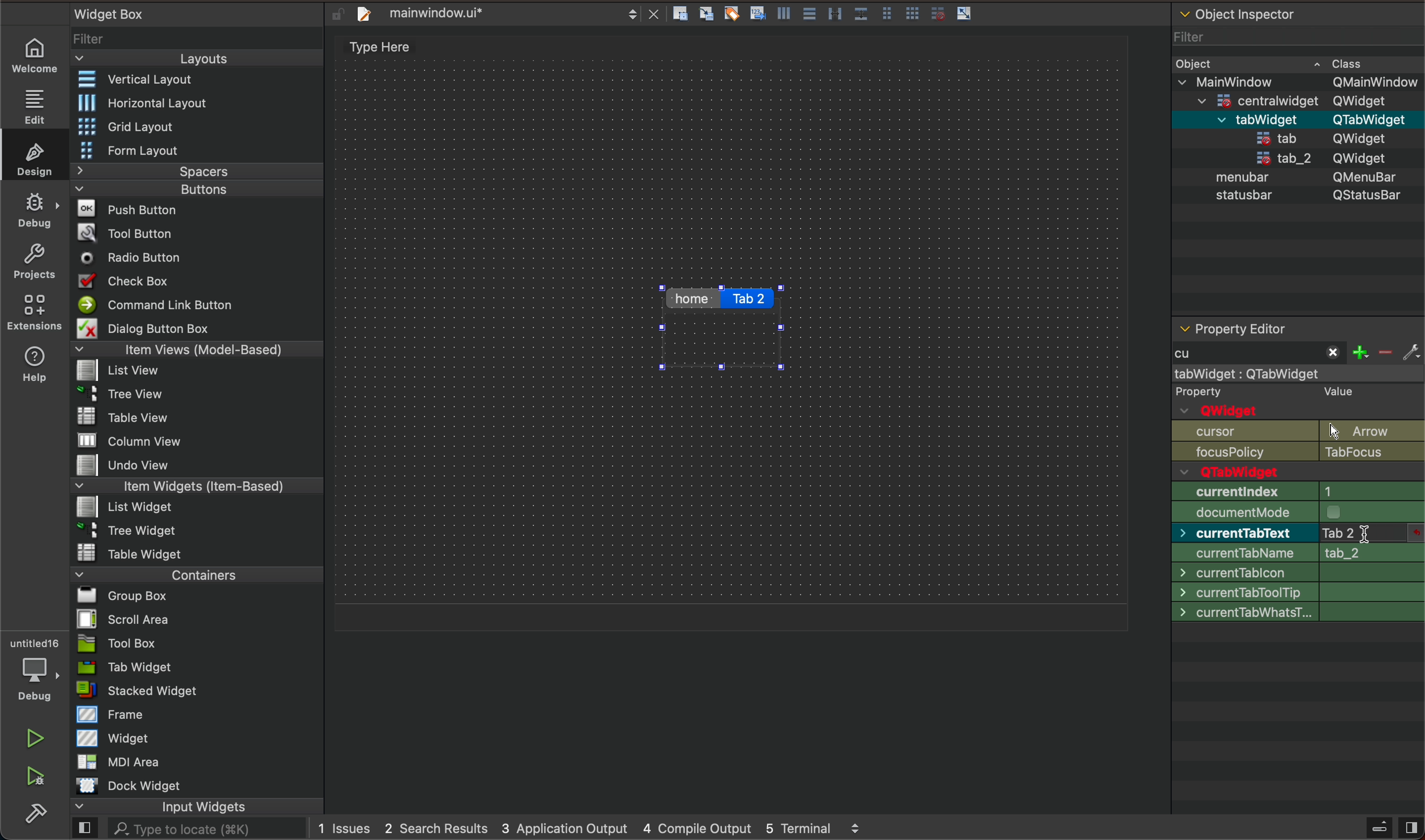  I want to click on Bl Group Box, so click(122, 593).